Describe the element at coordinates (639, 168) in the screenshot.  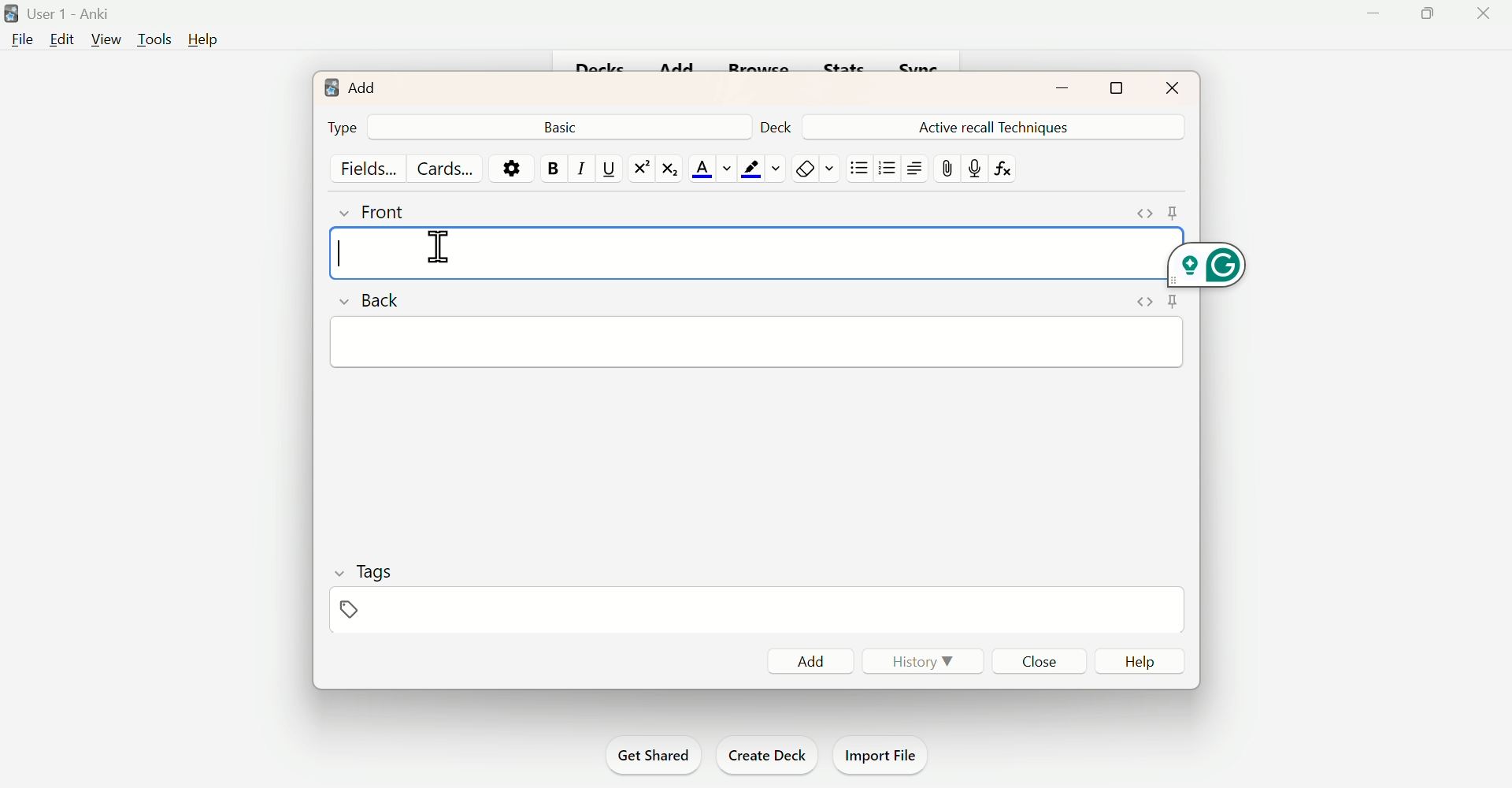
I see `Superscript` at that location.